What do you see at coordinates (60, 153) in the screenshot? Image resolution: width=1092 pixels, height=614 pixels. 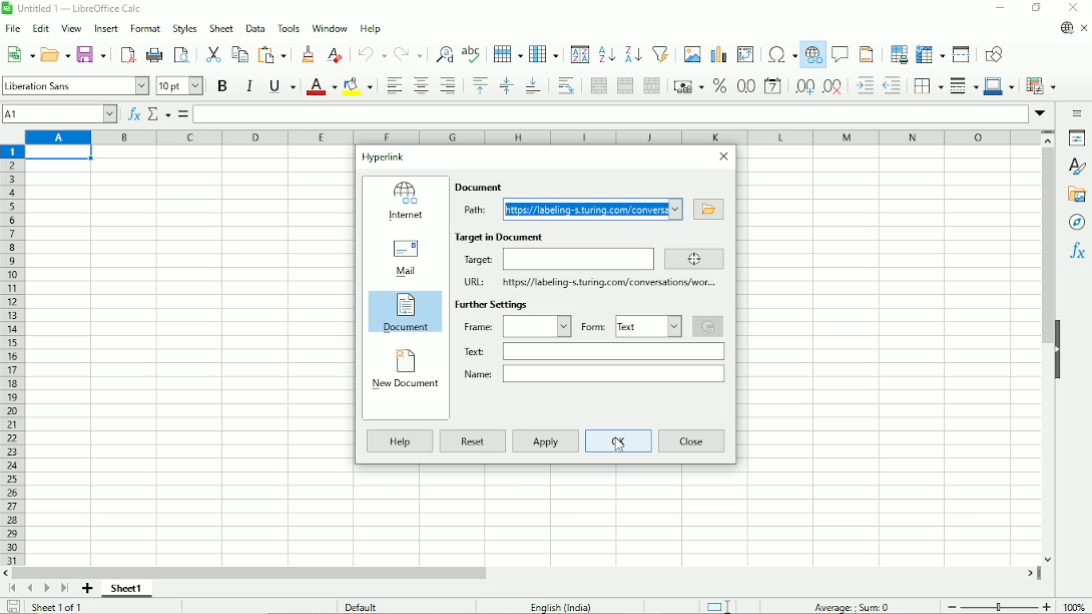 I see `Active cell` at bounding box center [60, 153].